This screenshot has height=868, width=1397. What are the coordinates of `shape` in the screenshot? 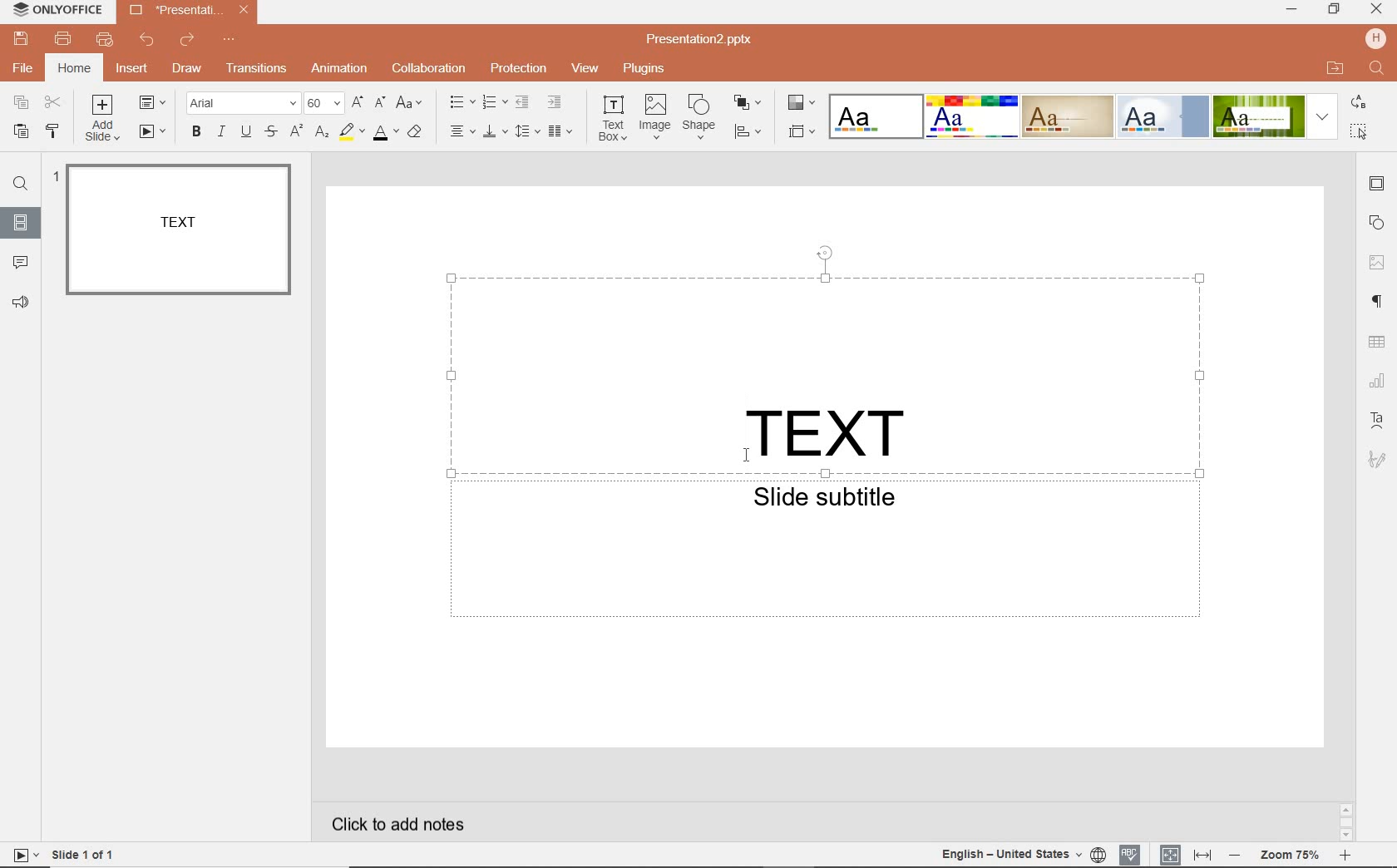 It's located at (701, 117).